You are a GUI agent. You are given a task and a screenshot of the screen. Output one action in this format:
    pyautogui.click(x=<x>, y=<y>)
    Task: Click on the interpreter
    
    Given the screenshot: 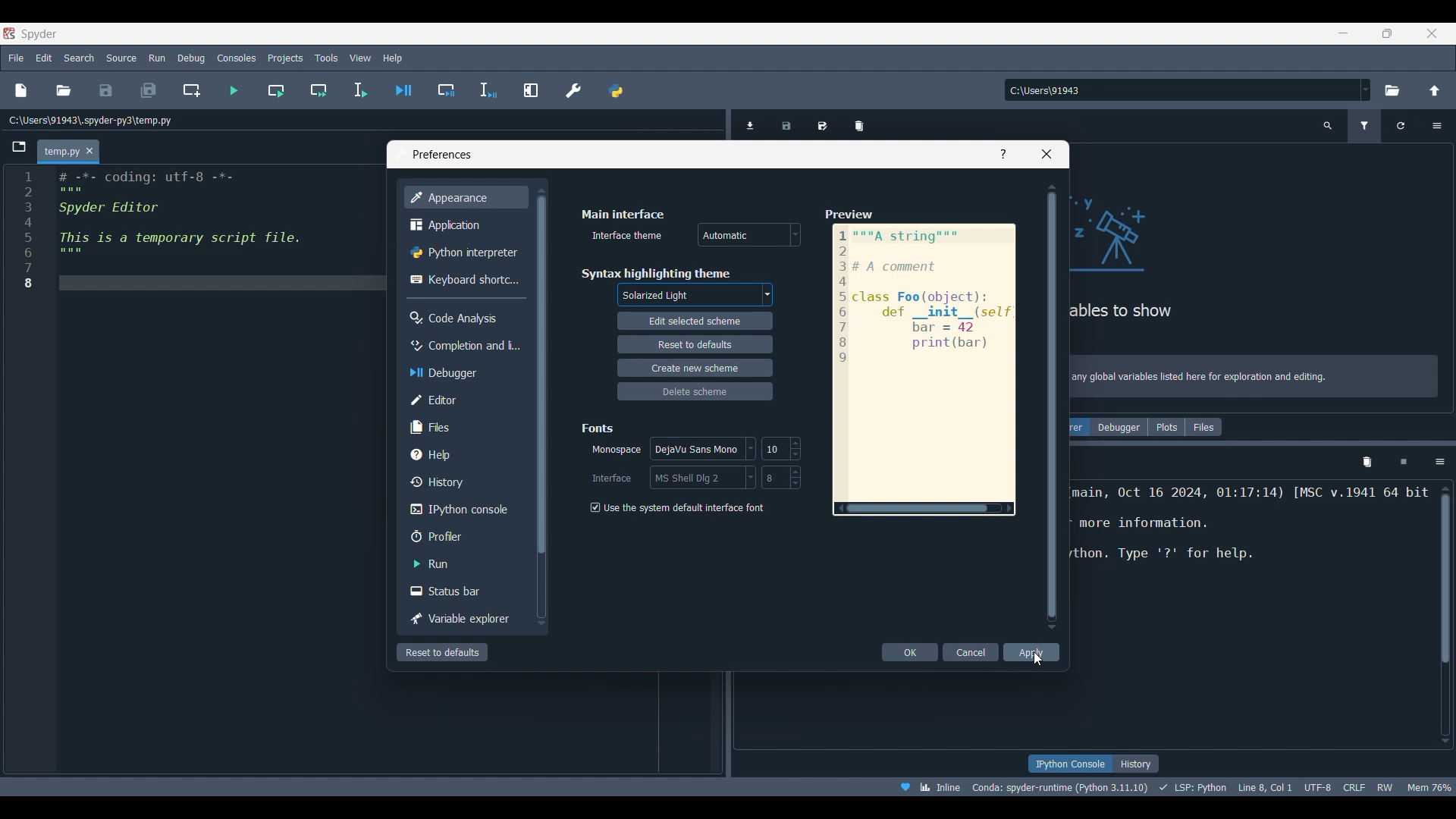 What is the action you would take?
    pyautogui.click(x=1057, y=787)
    